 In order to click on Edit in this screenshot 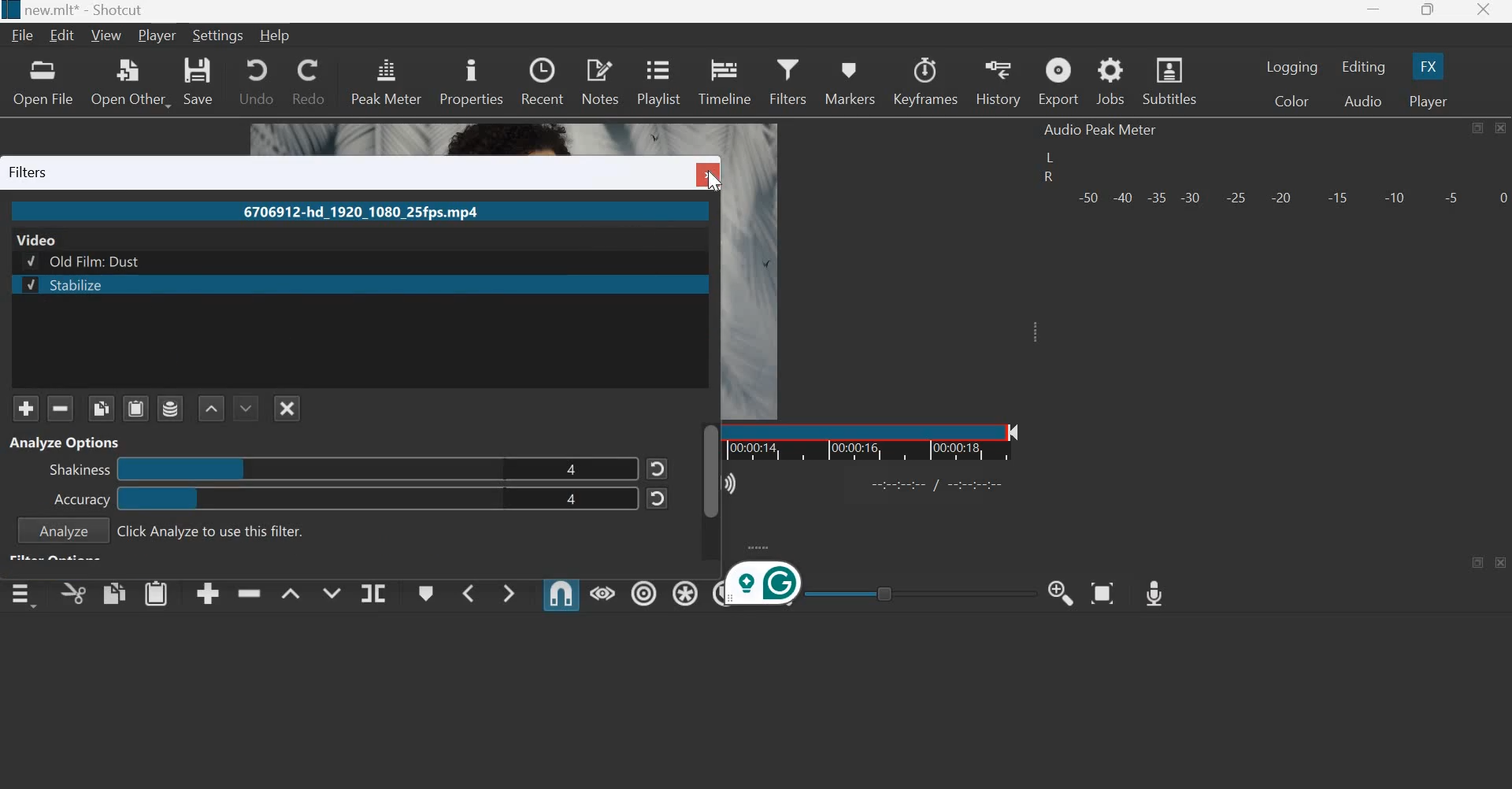, I will do `click(64, 36)`.